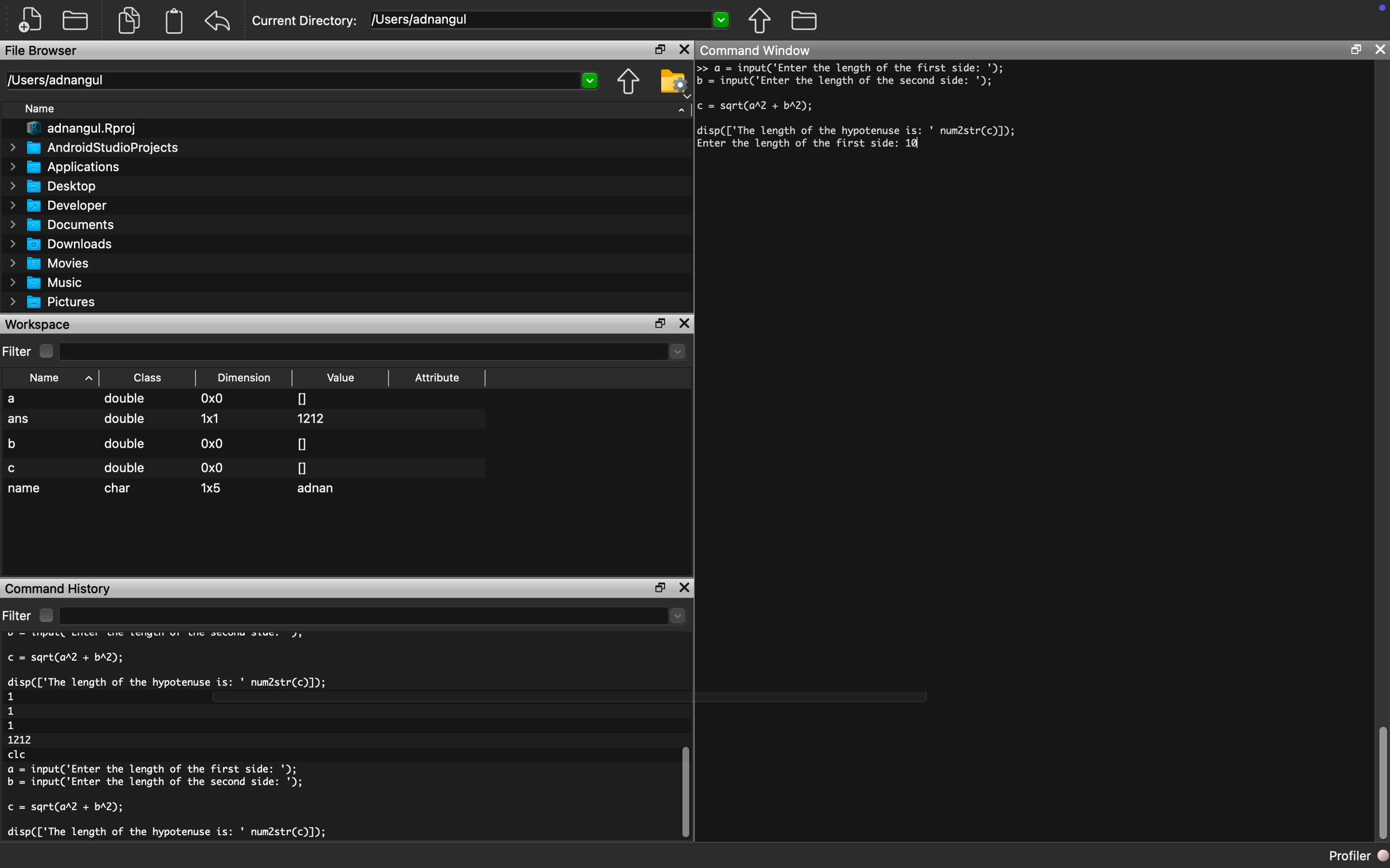  What do you see at coordinates (682, 781) in the screenshot?
I see `vertical scroll bar` at bounding box center [682, 781].